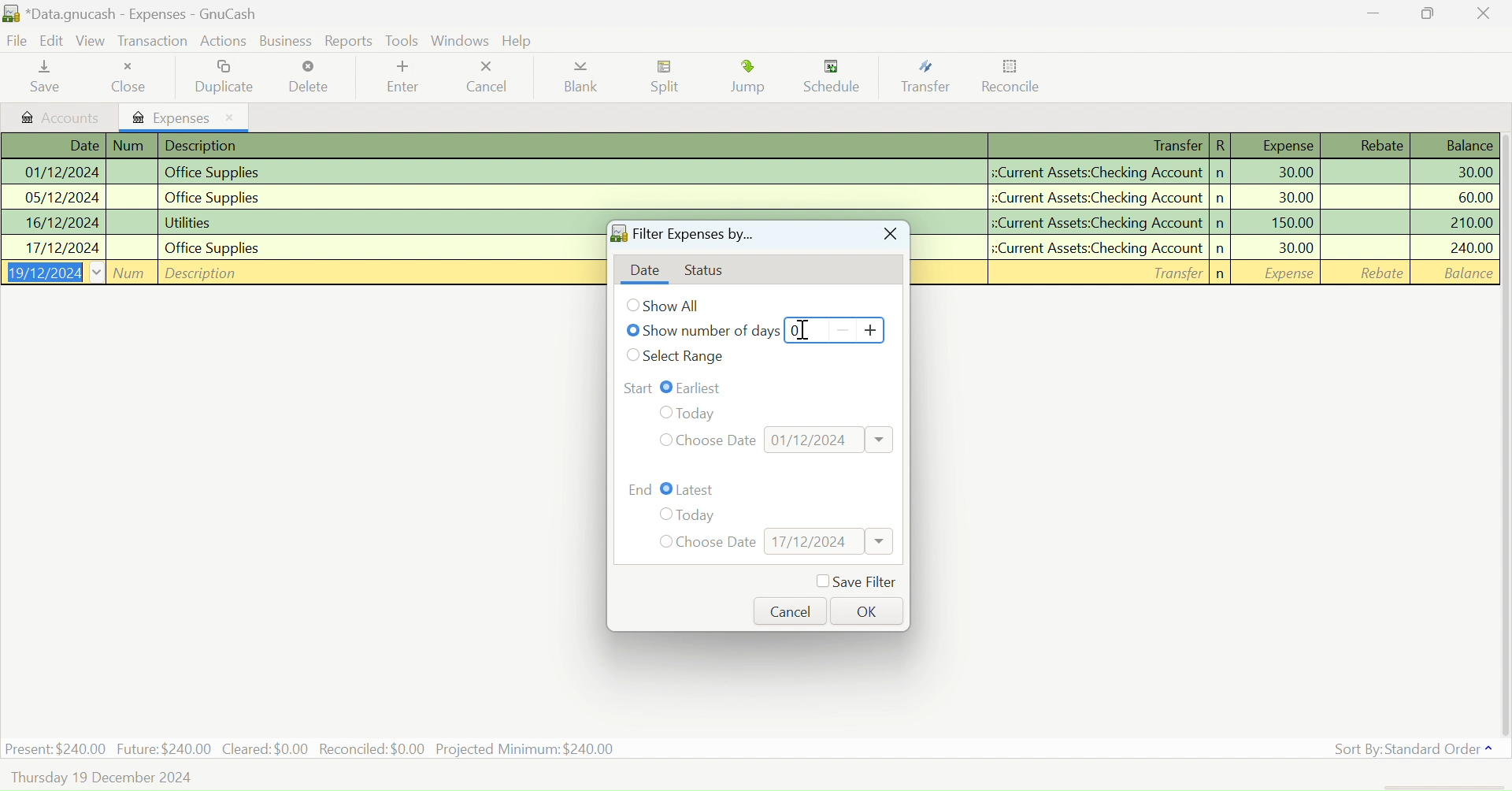 The image size is (1512, 791). Describe the element at coordinates (807, 331) in the screenshot. I see `Cursor on Day Counter` at that location.